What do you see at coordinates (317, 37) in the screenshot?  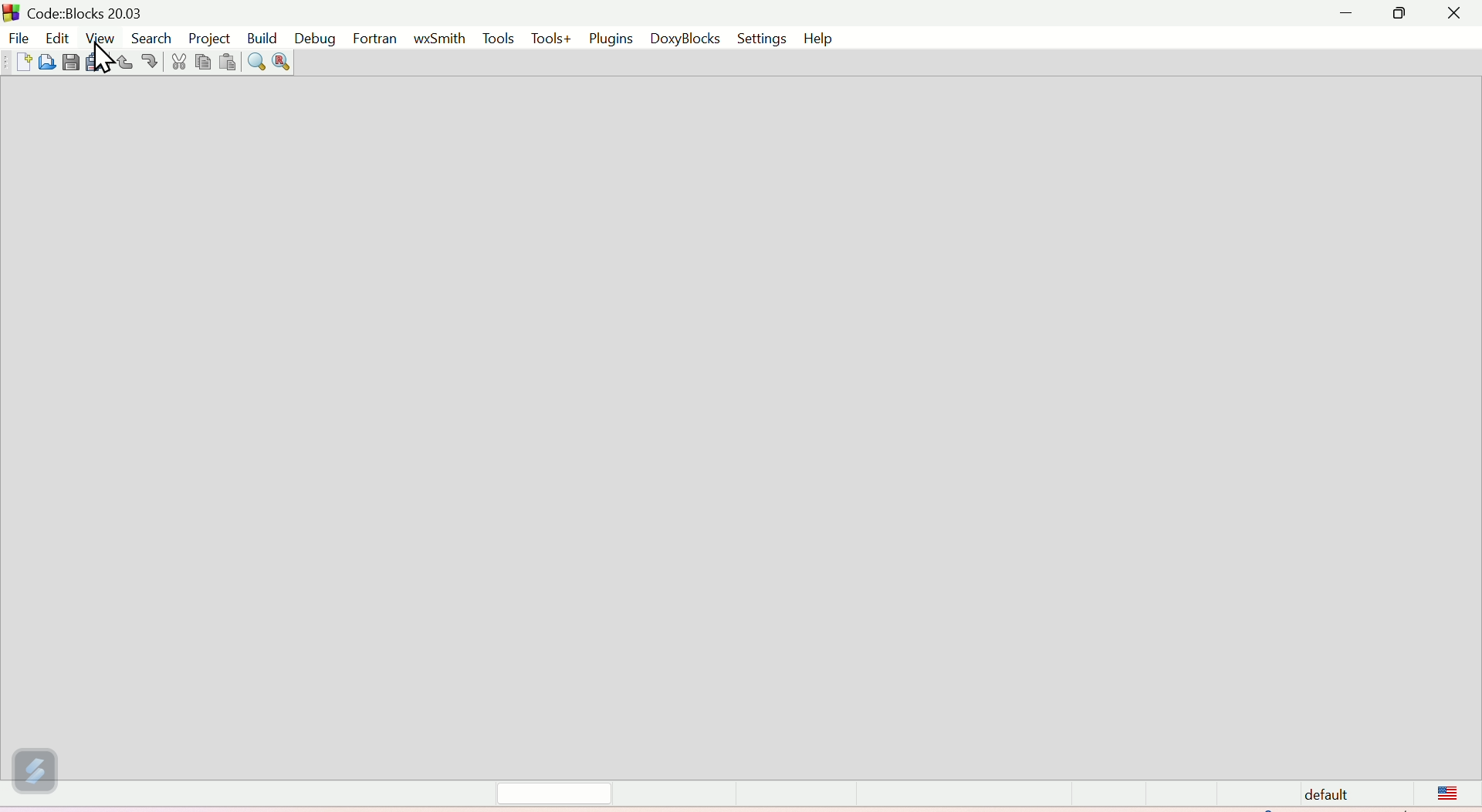 I see `Debug` at bounding box center [317, 37].